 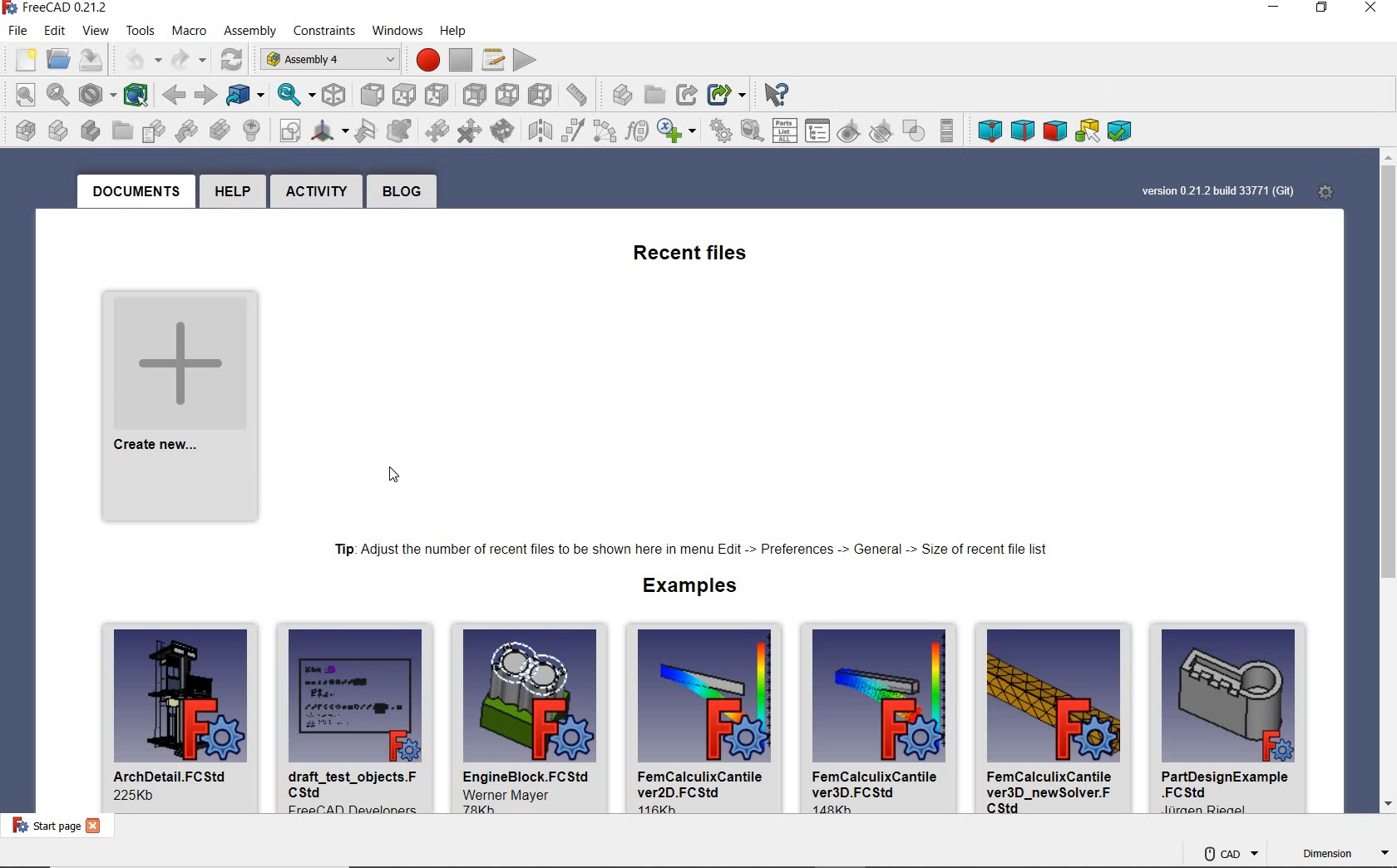 What do you see at coordinates (248, 96) in the screenshot?
I see `go to linked object` at bounding box center [248, 96].